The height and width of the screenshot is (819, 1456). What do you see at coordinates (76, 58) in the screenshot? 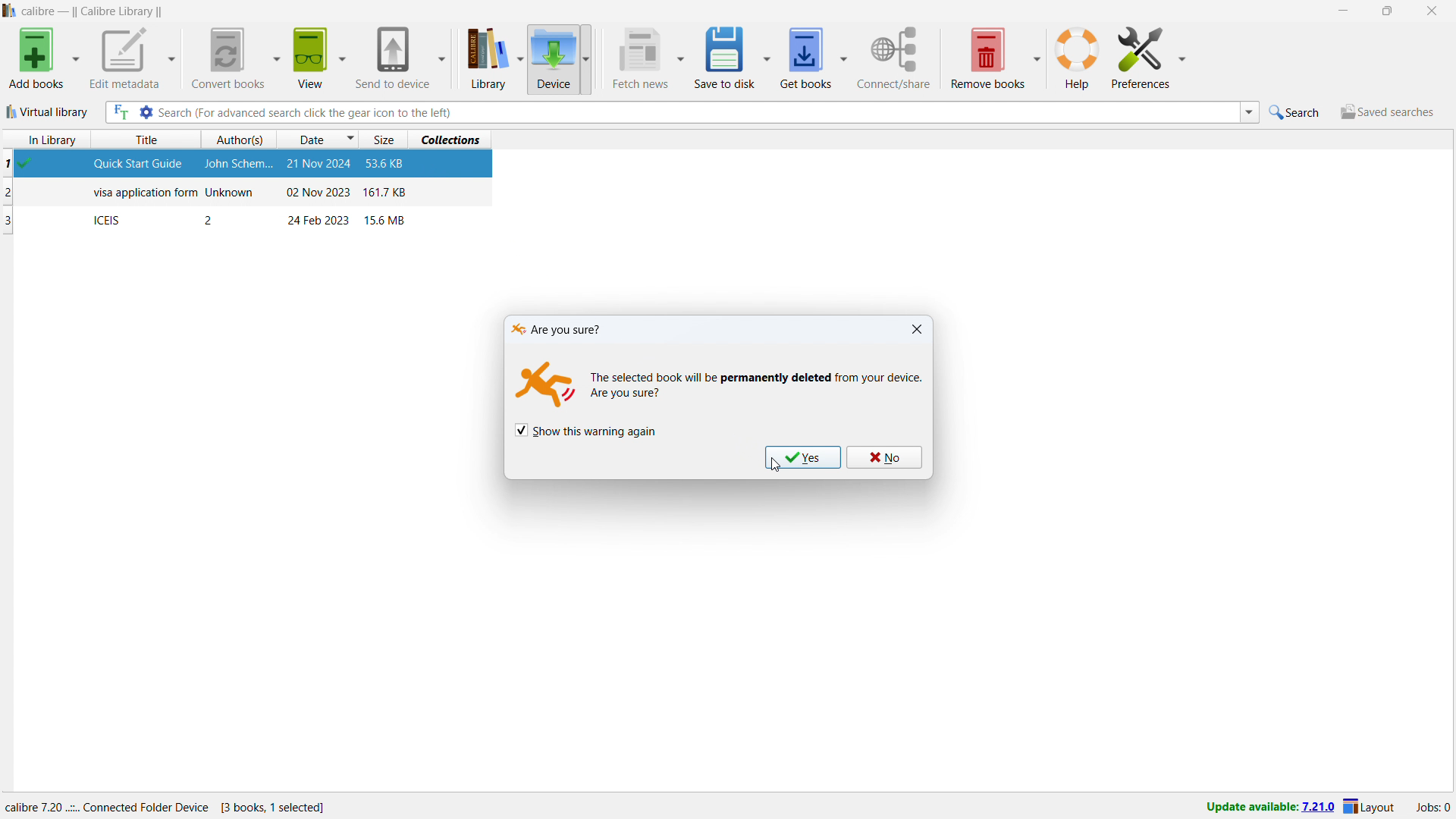
I see `Add books options` at bounding box center [76, 58].